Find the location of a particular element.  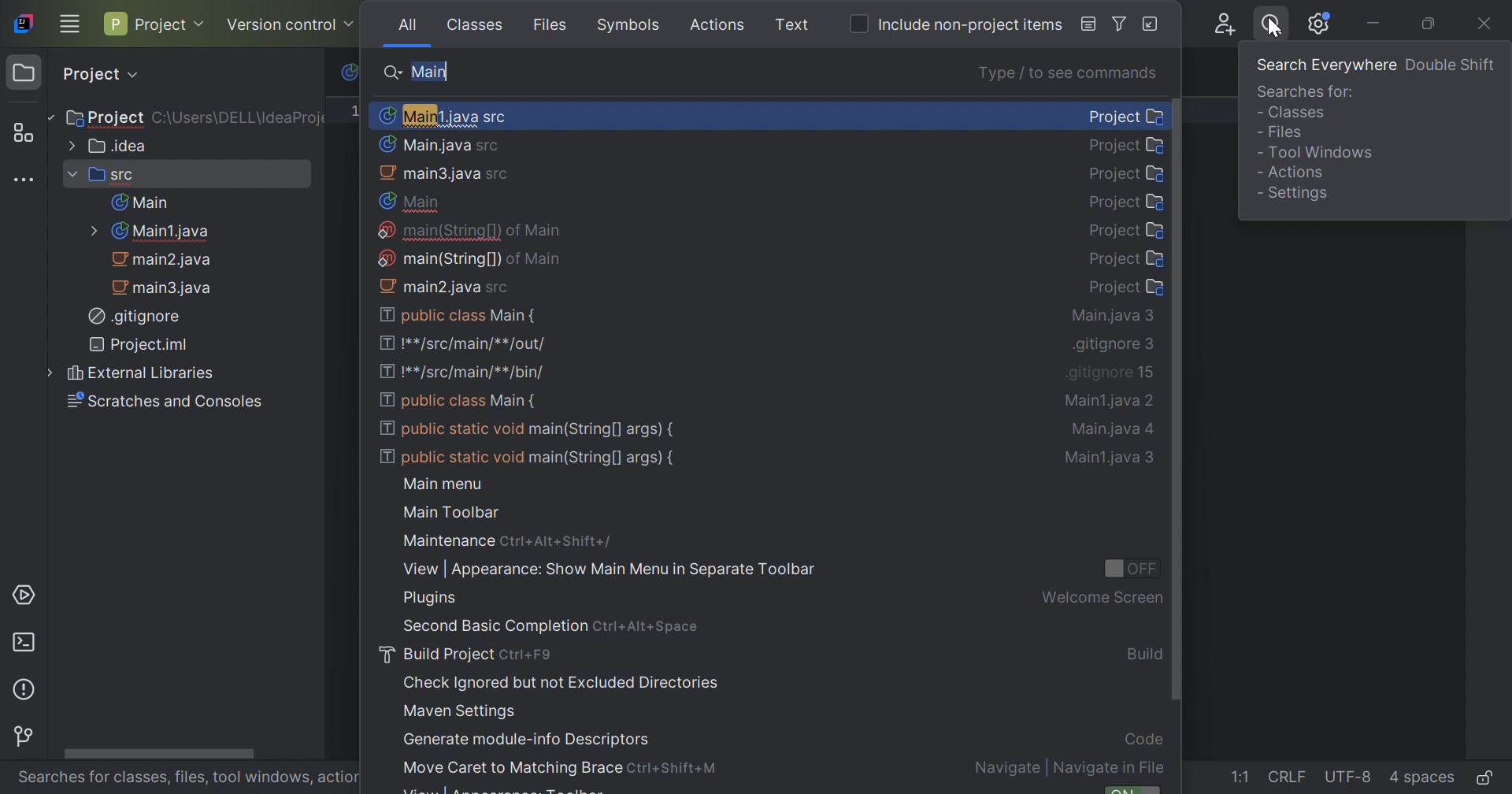

Main.java4 is located at coordinates (1116, 432).